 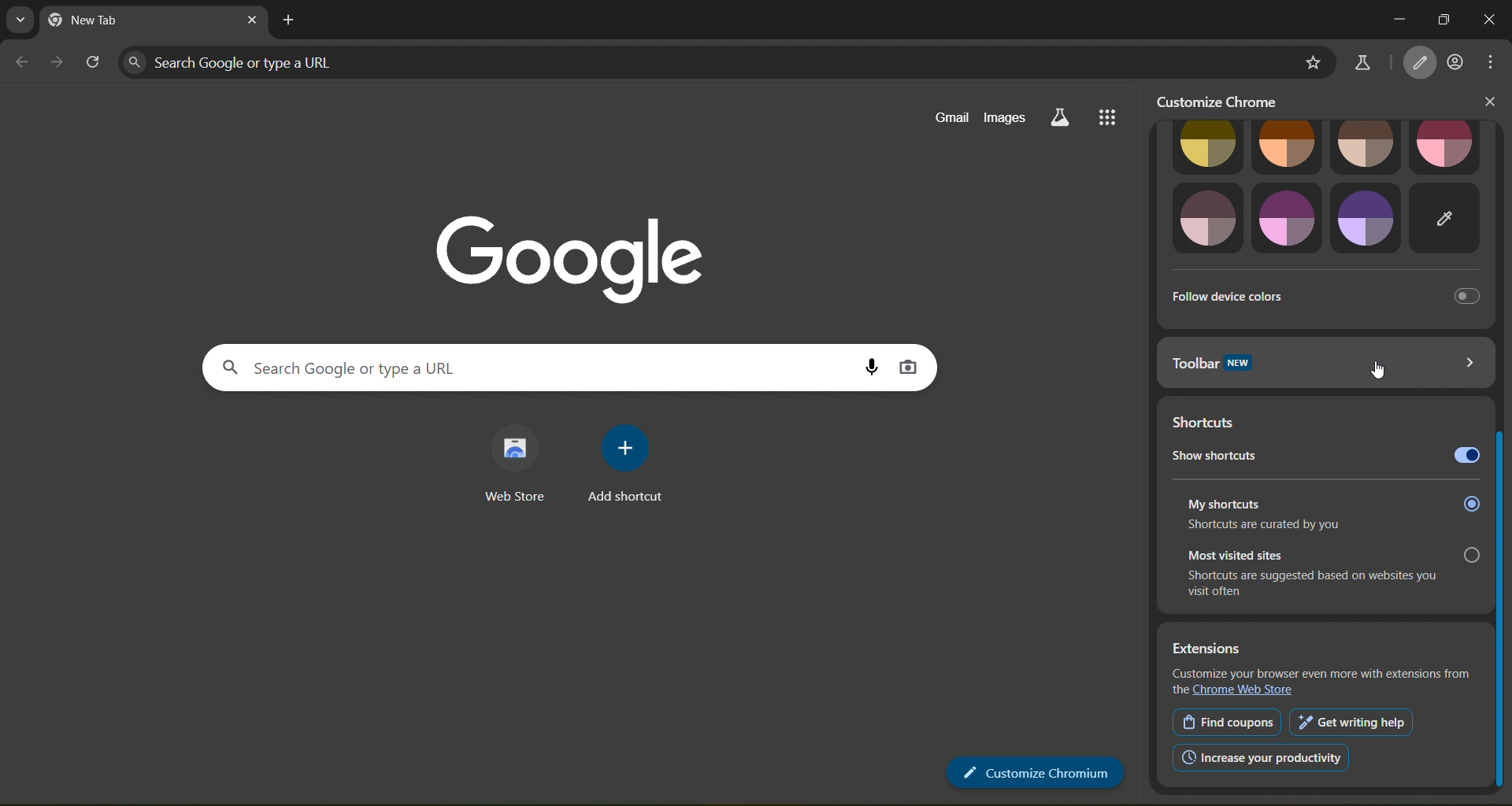 What do you see at coordinates (1367, 144) in the screenshot?
I see `image` at bounding box center [1367, 144].